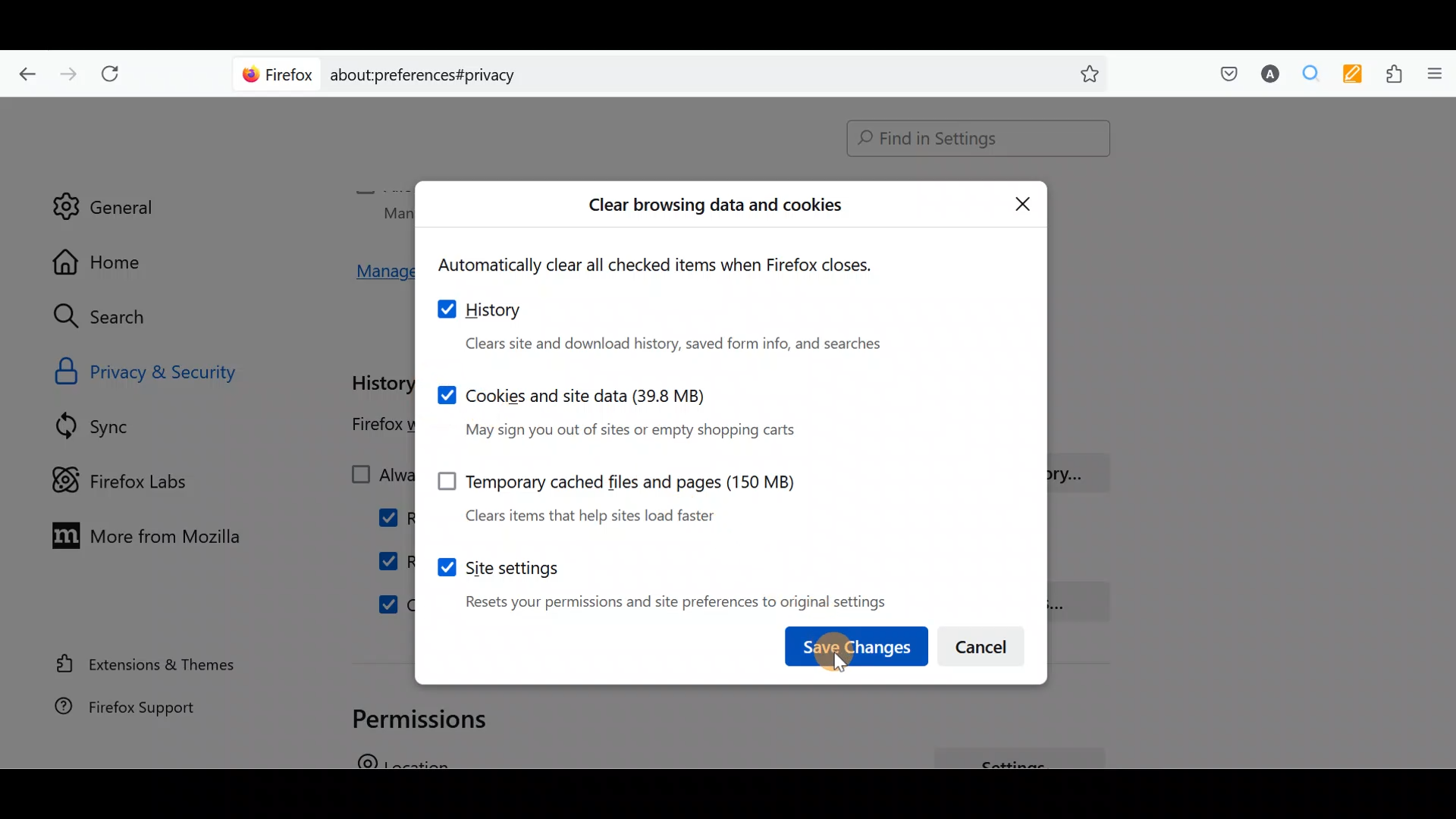 This screenshot has width=1456, height=819. I want to click on Search icon, so click(115, 317).